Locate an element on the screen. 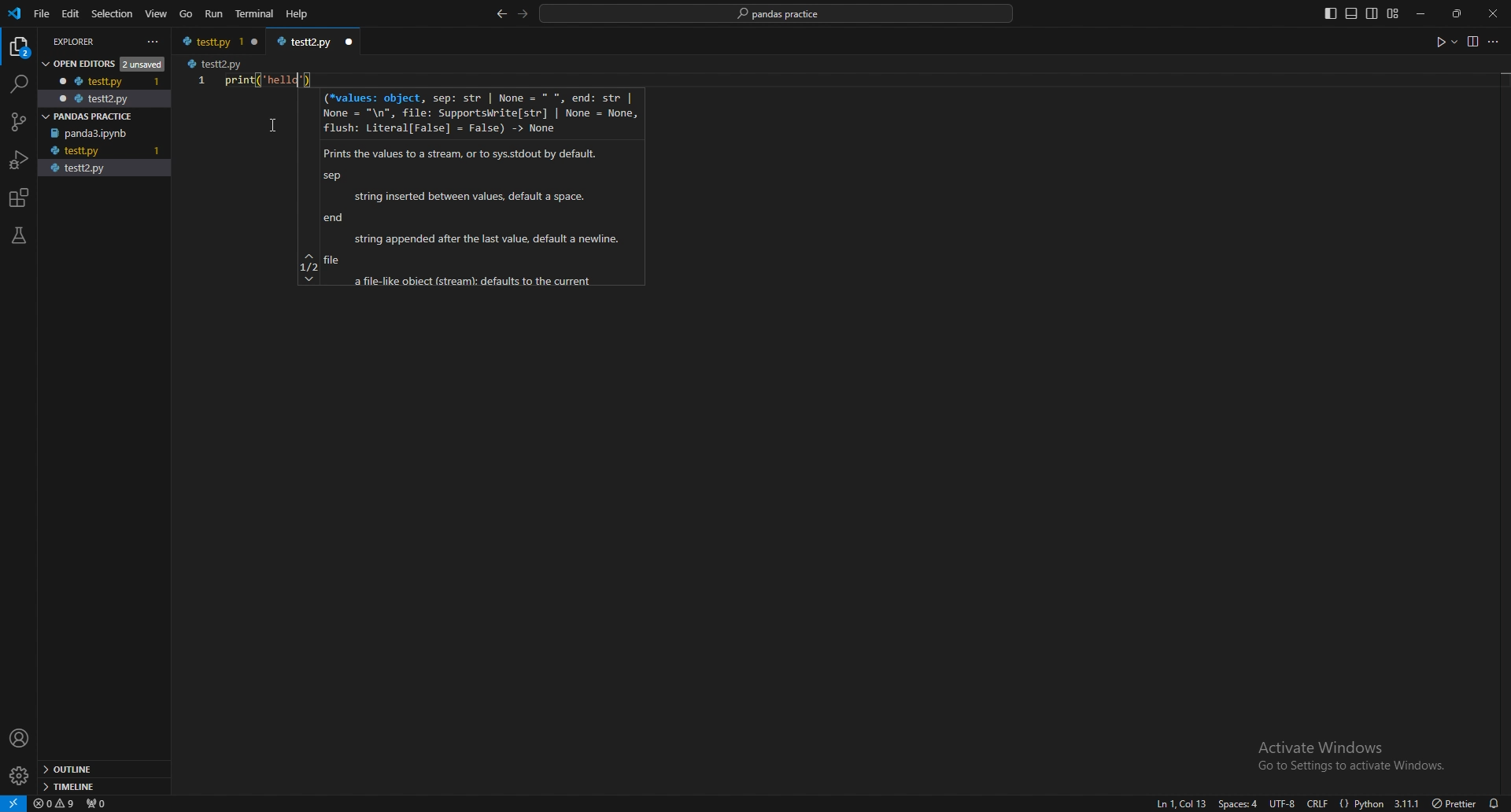 Image resolution: width=1511 pixels, height=812 pixels. profile is located at coordinates (20, 739).